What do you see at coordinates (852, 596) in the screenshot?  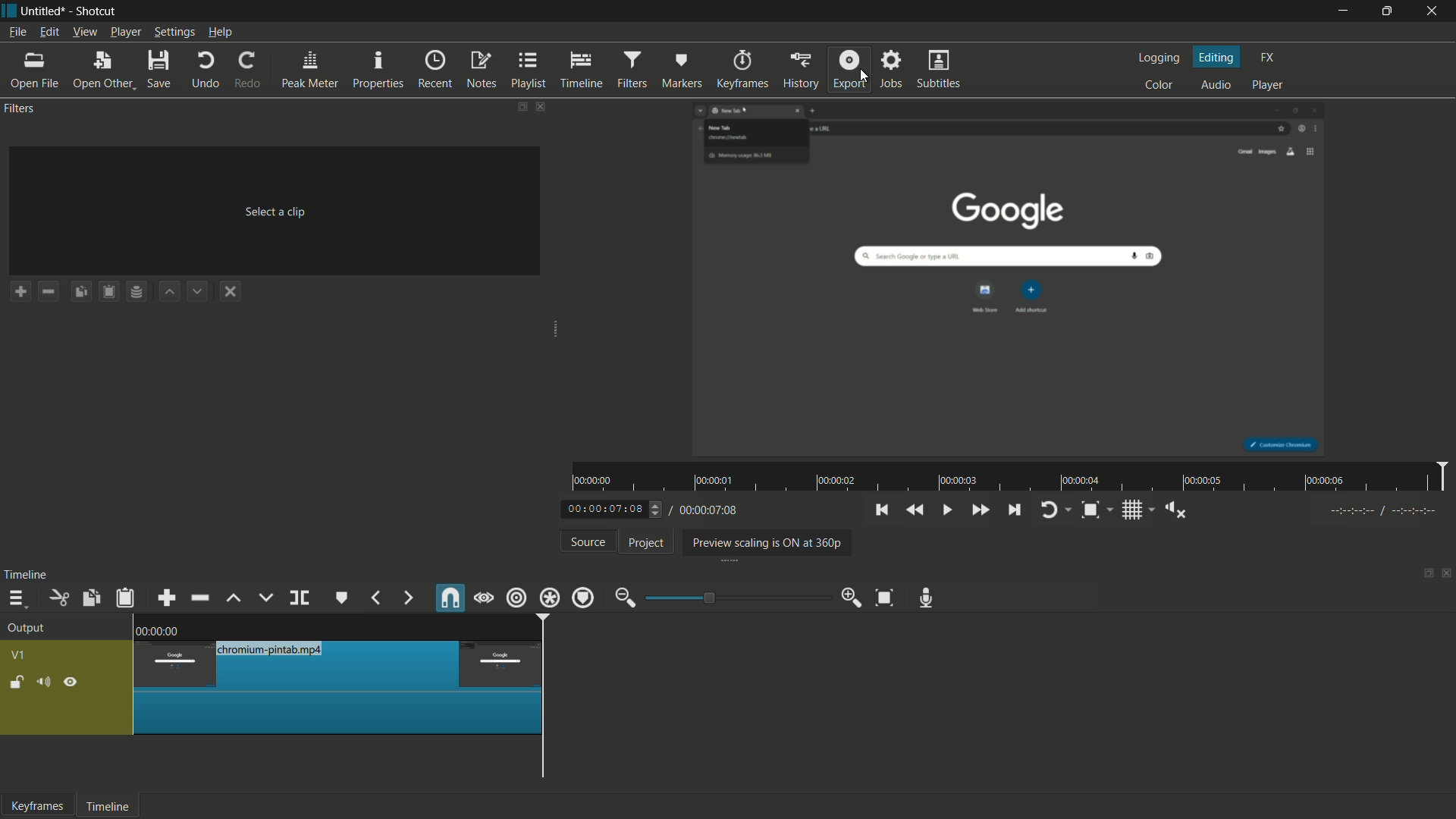 I see `zoom in` at bounding box center [852, 596].